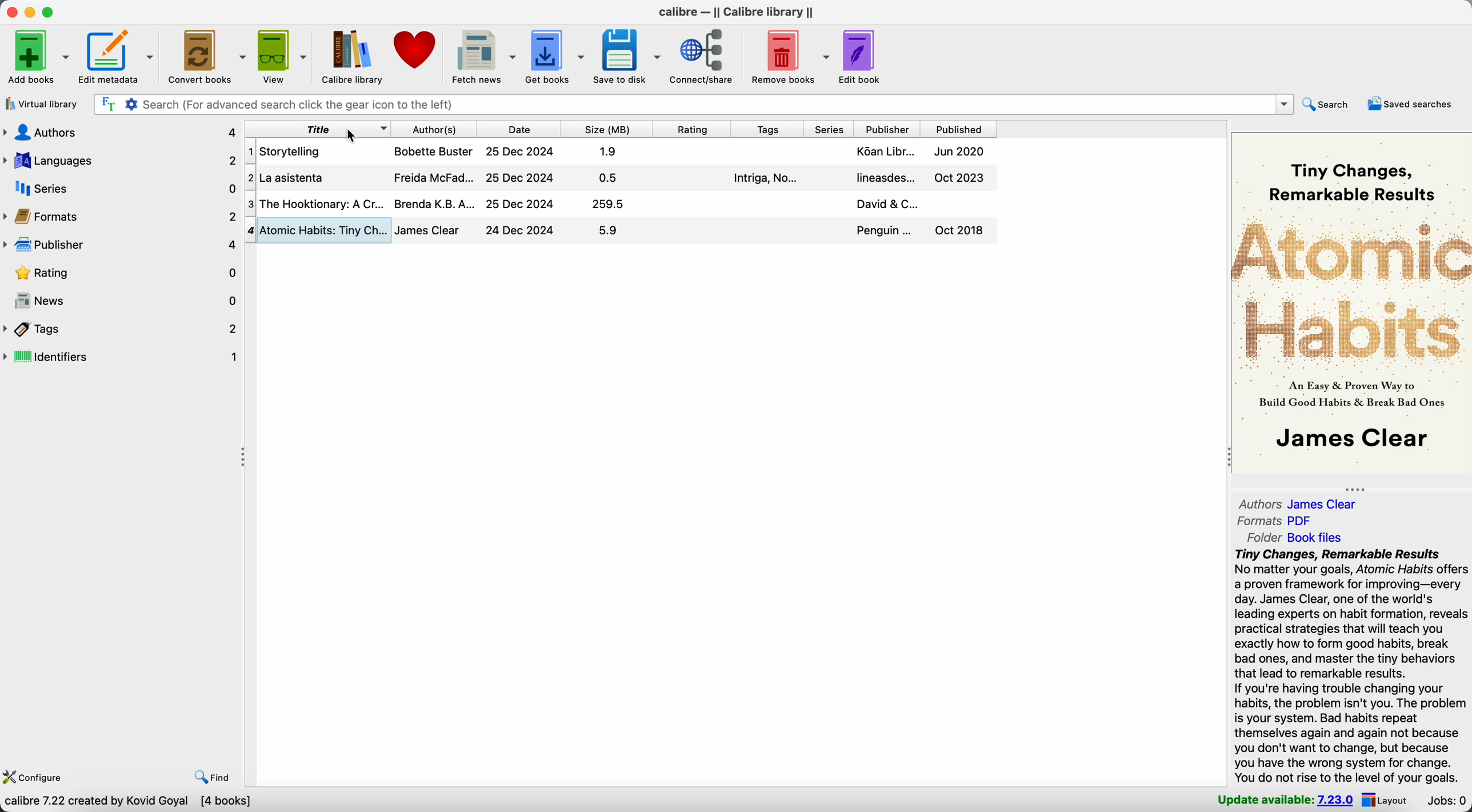 Image resolution: width=1472 pixels, height=812 pixels. I want to click on 3, so click(250, 202).